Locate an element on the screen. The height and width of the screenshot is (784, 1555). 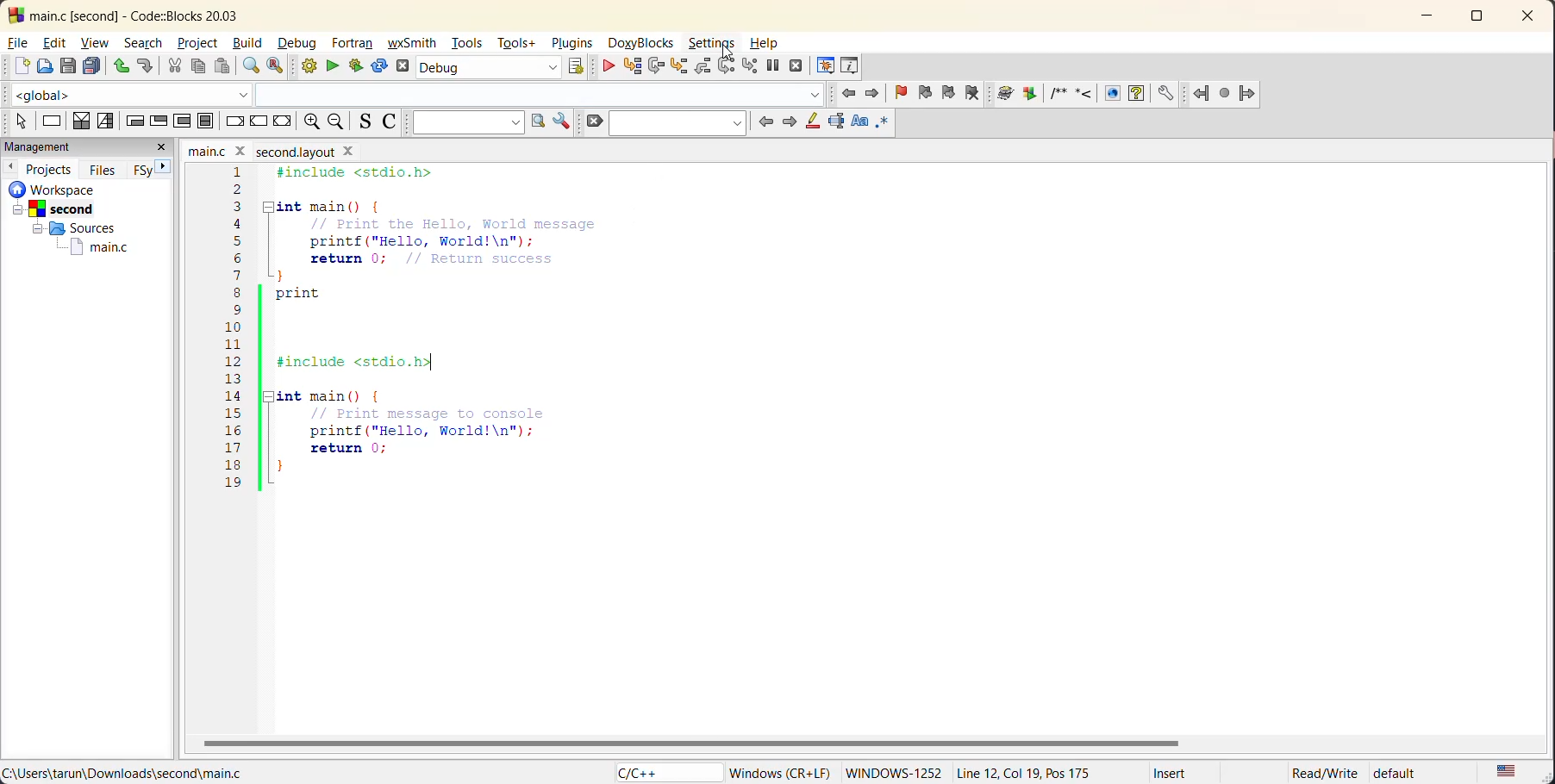
workspace is located at coordinates (68, 189).